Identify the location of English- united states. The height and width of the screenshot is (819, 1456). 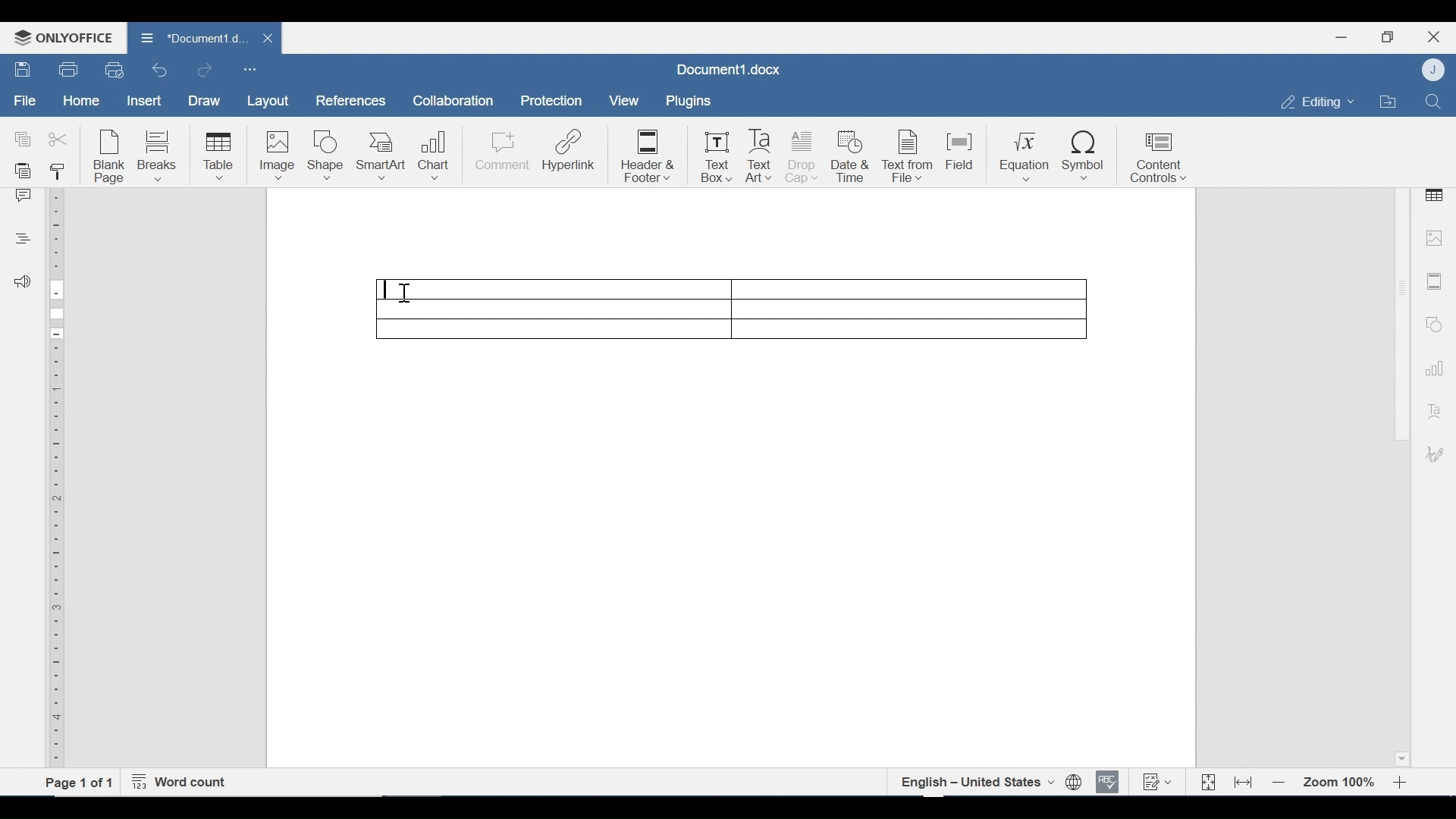
(976, 782).